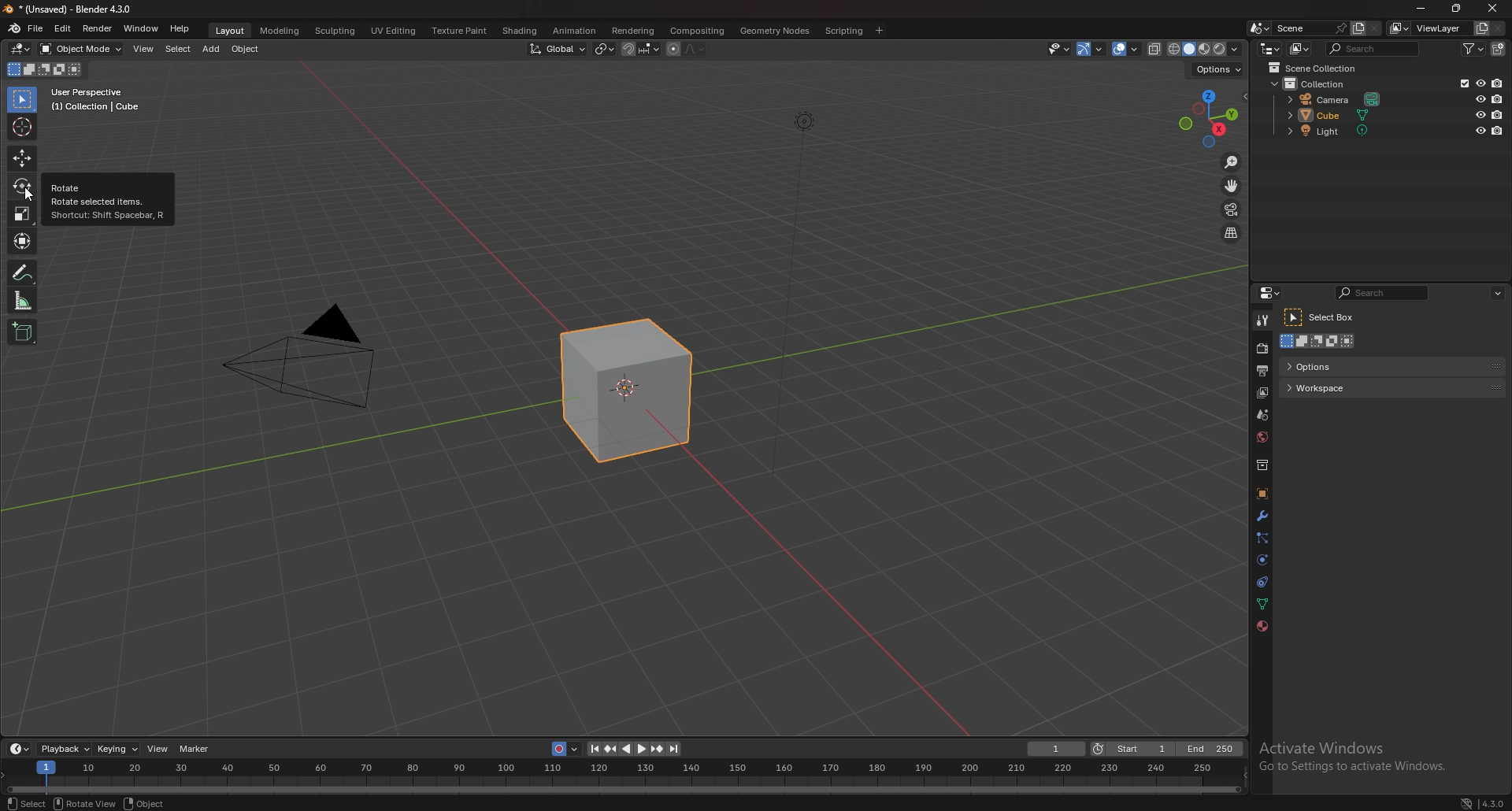  I want to click on disable in render, so click(1498, 83).